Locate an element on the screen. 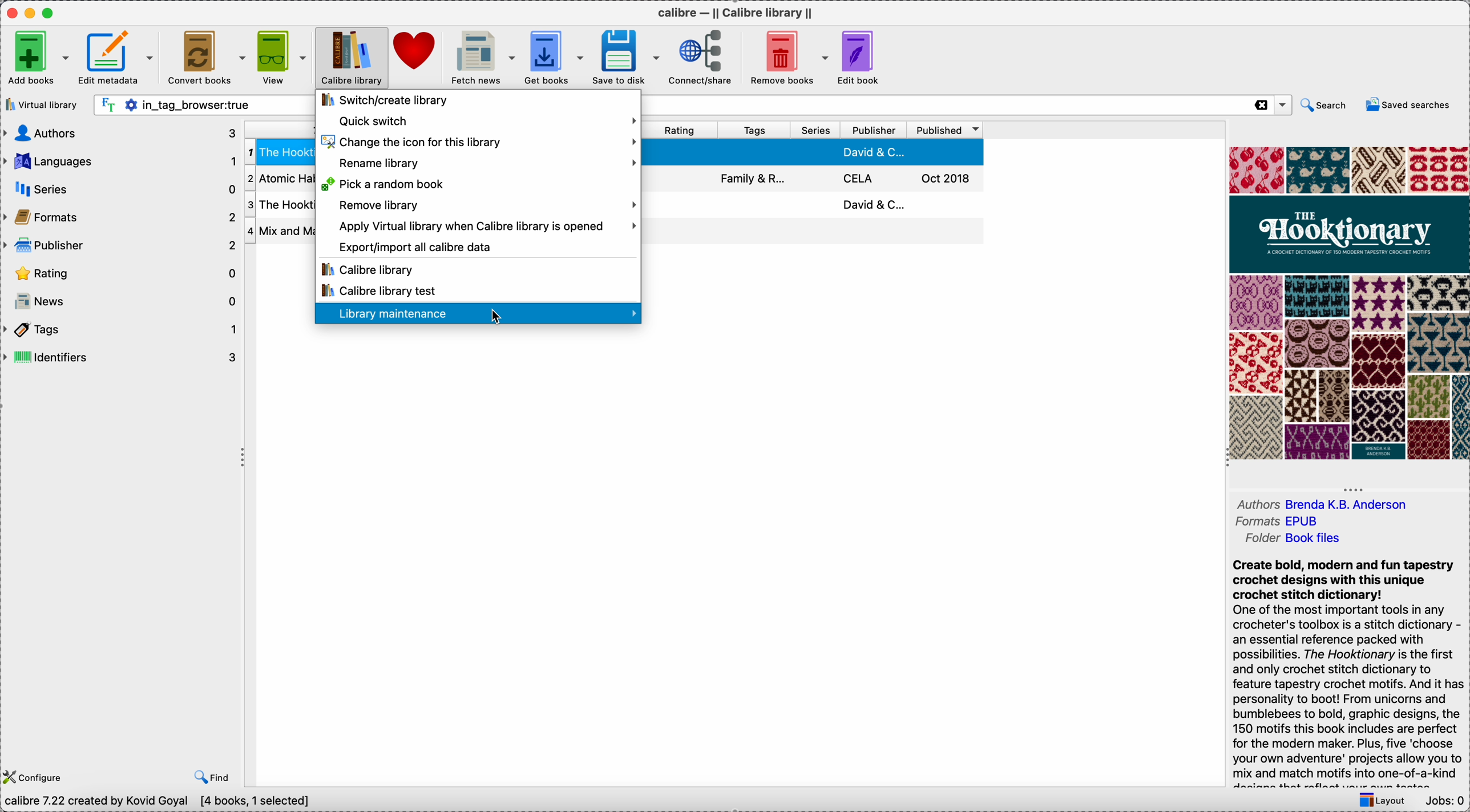  view is located at coordinates (282, 58).